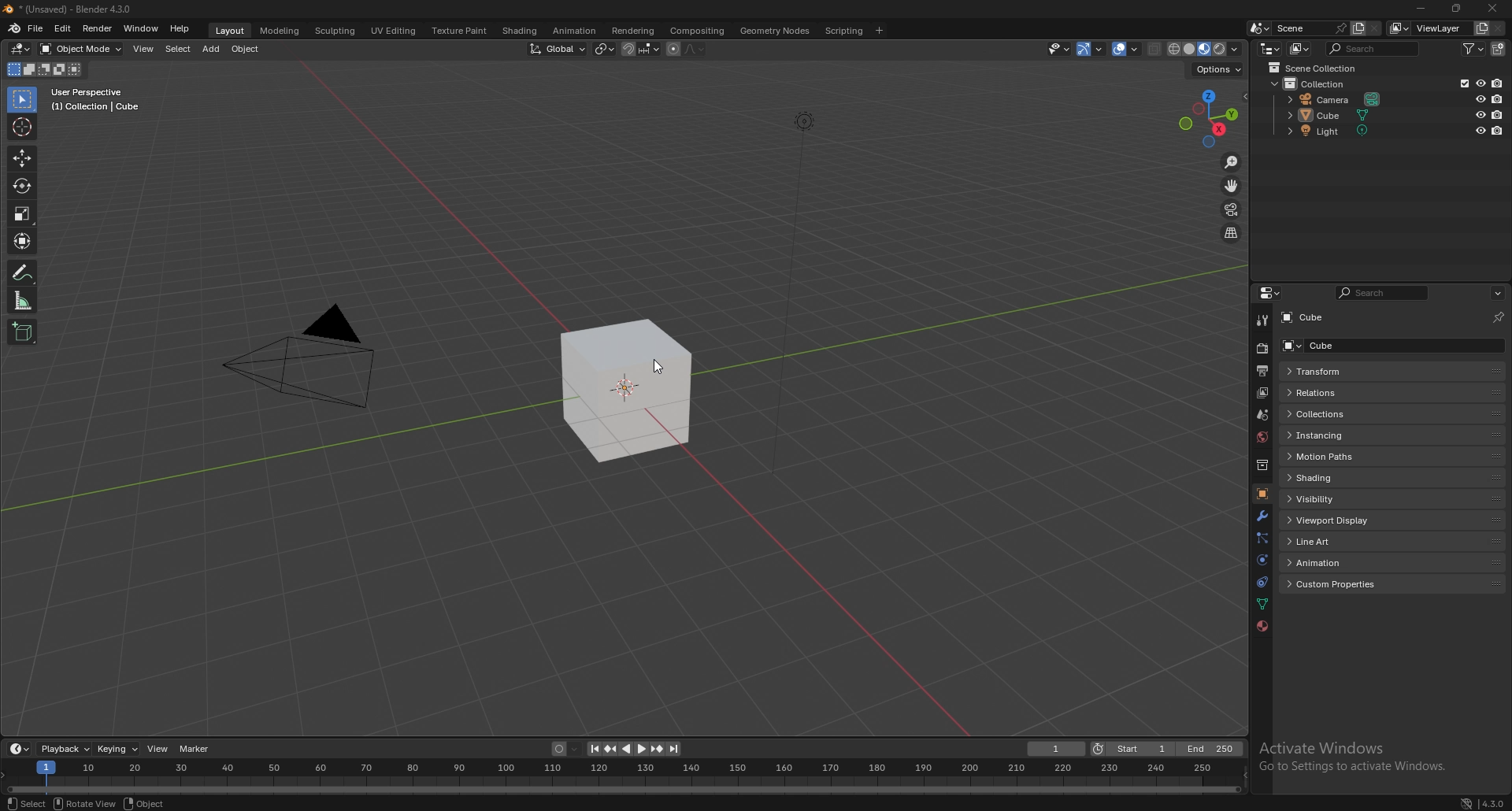 This screenshot has height=811, width=1512. What do you see at coordinates (1260, 561) in the screenshot?
I see `physics` at bounding box center [1260, 561].